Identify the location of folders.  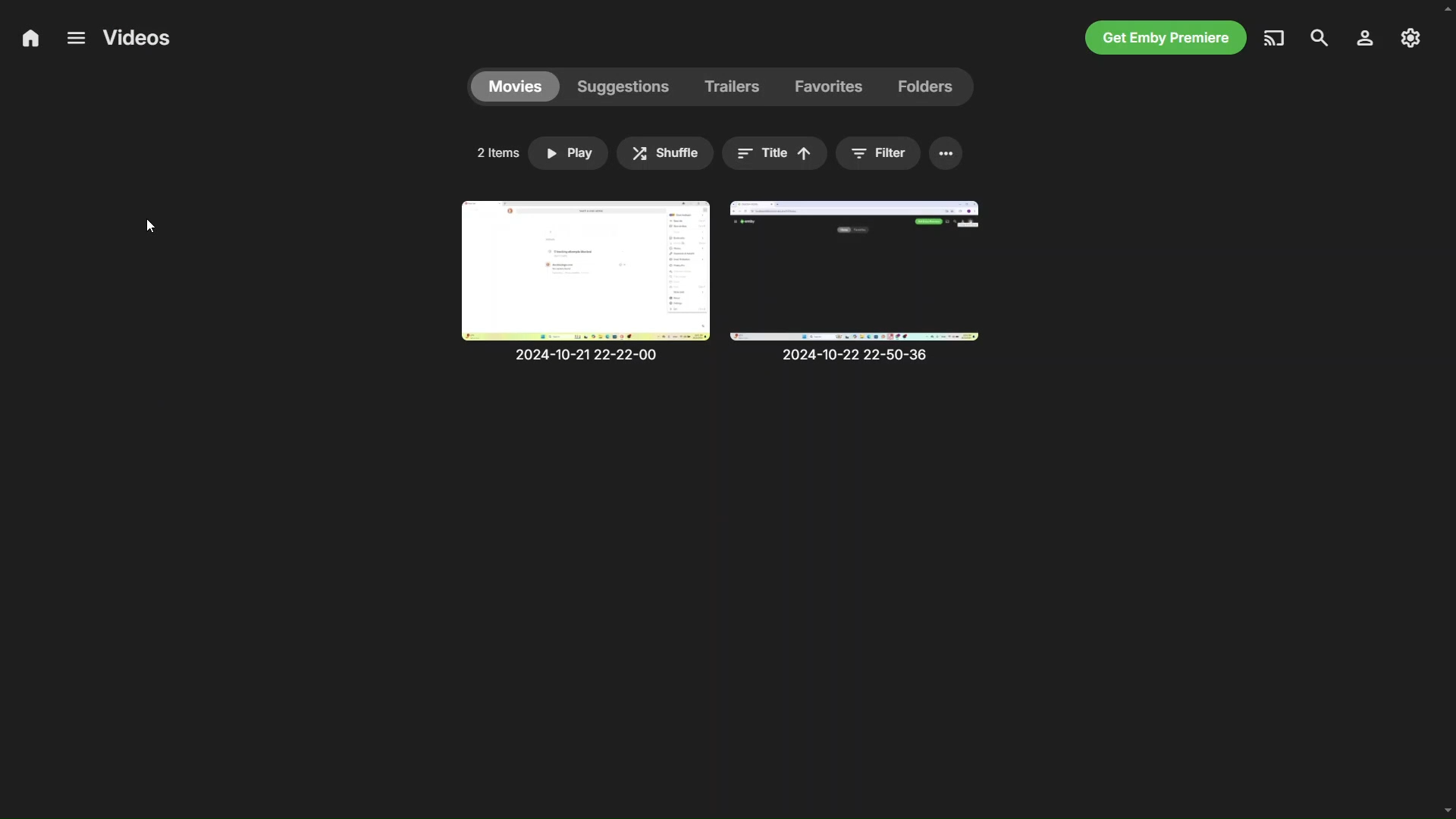
(933, 86).